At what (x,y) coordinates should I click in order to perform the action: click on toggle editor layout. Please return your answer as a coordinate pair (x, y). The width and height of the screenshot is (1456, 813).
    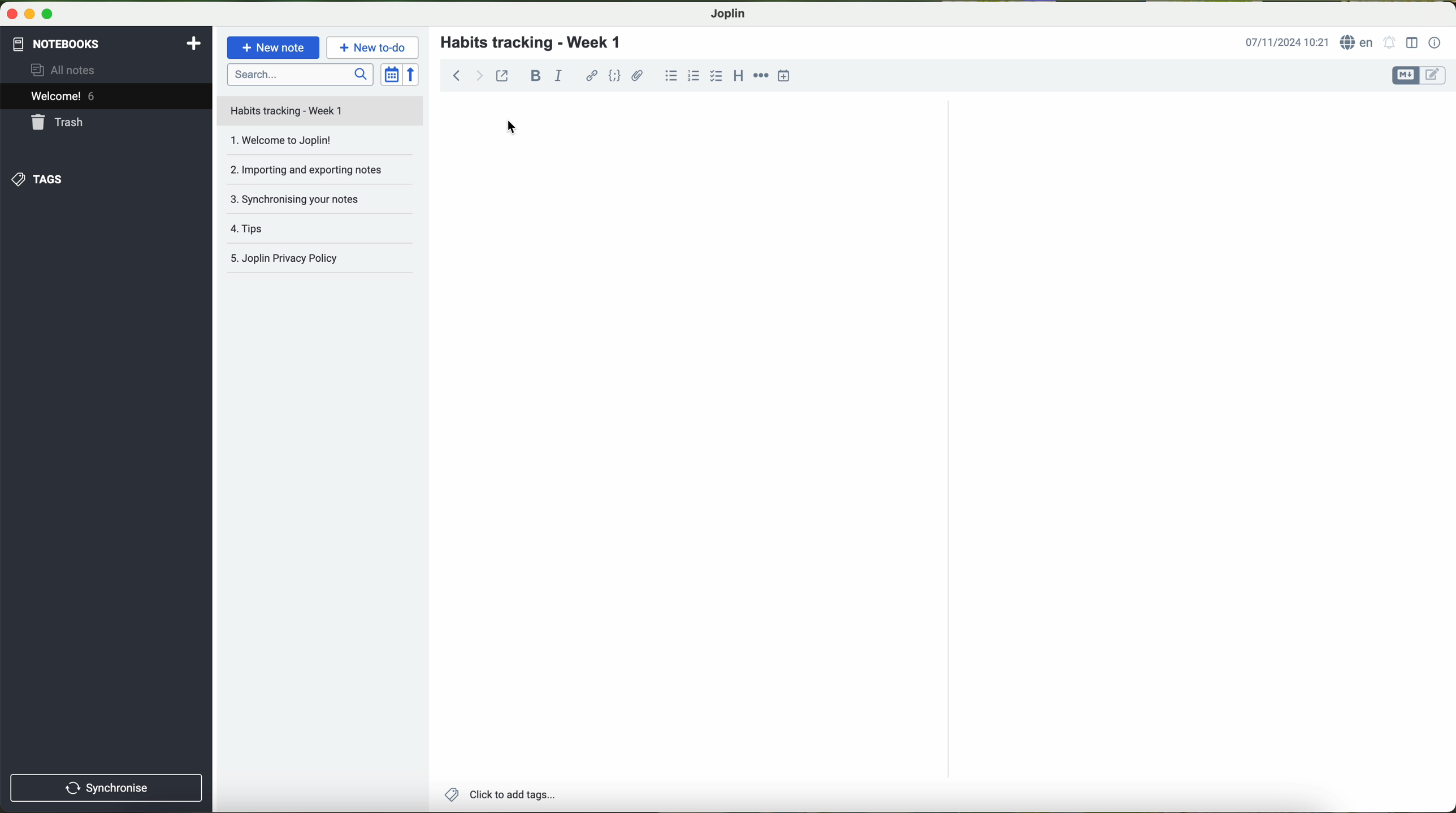
    Looking at the image, I should click on (1412, 43).